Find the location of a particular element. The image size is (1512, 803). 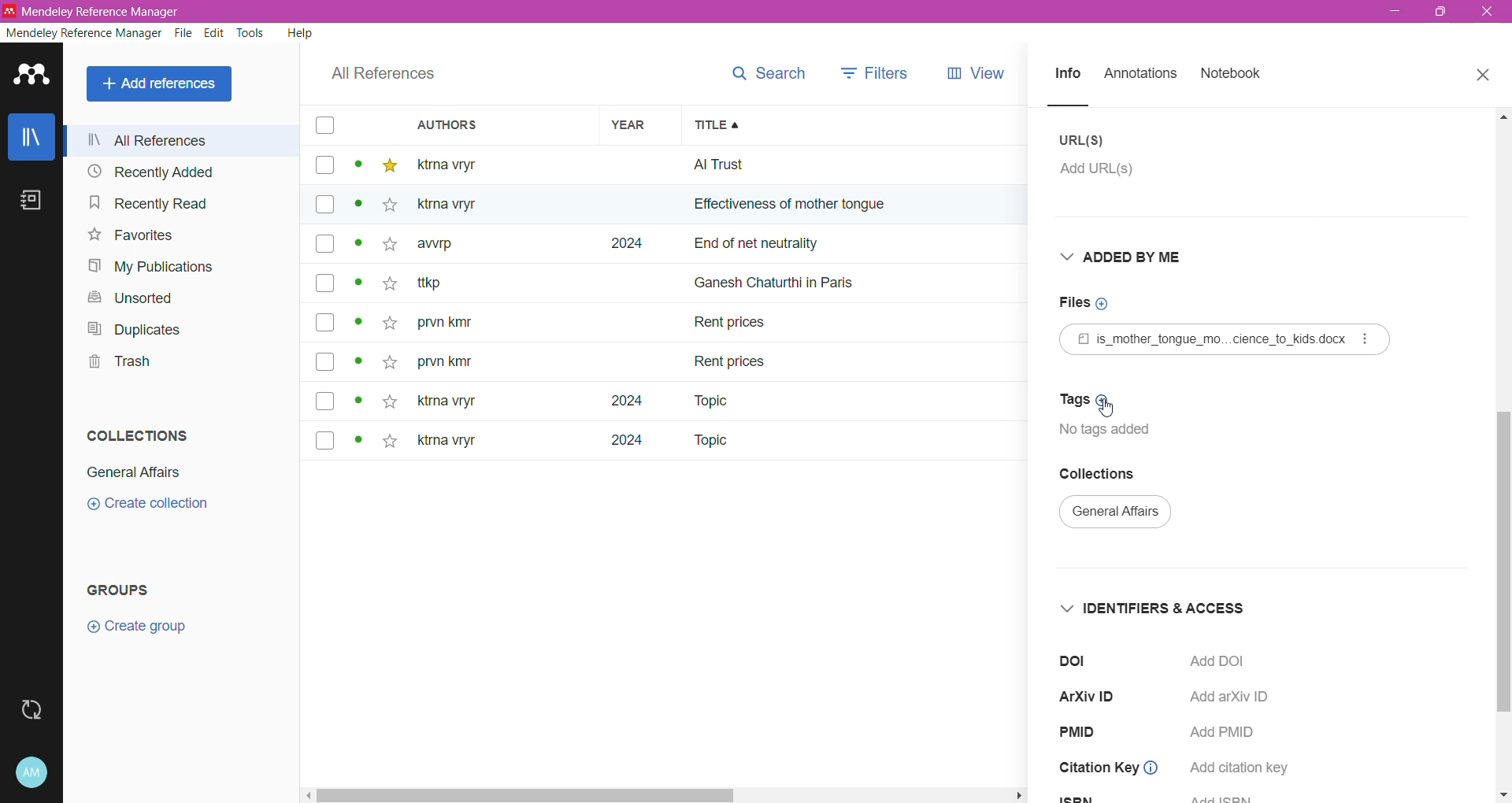

PMID is located at coordinates (1083, 732).